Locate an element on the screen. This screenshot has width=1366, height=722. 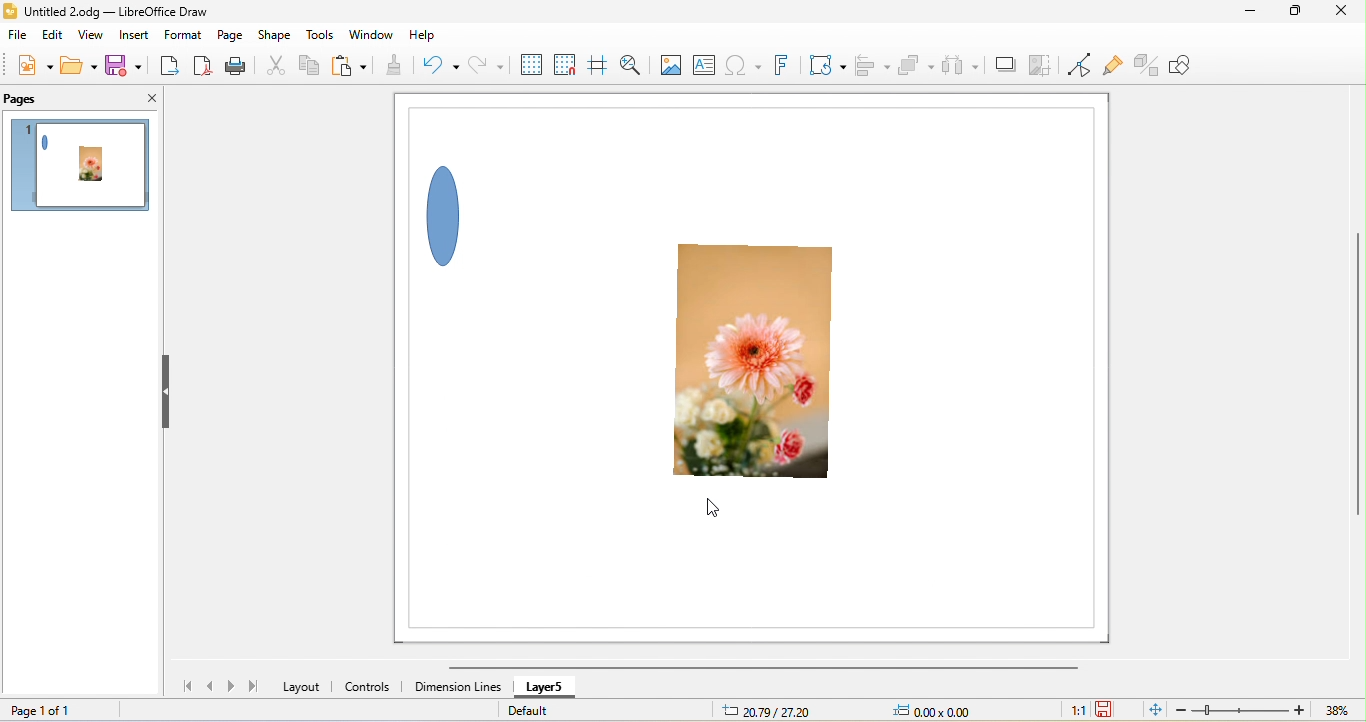
cut is located at coordinates (277, 67).